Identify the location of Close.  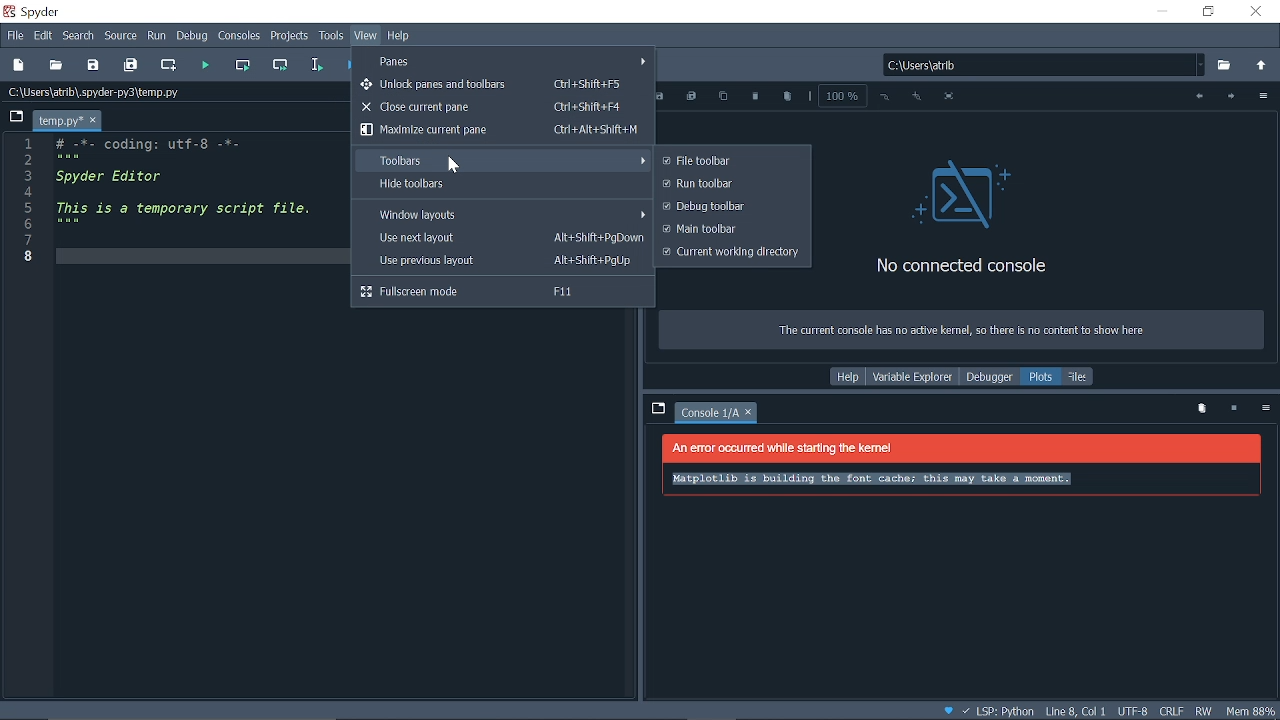
(1258, 13).